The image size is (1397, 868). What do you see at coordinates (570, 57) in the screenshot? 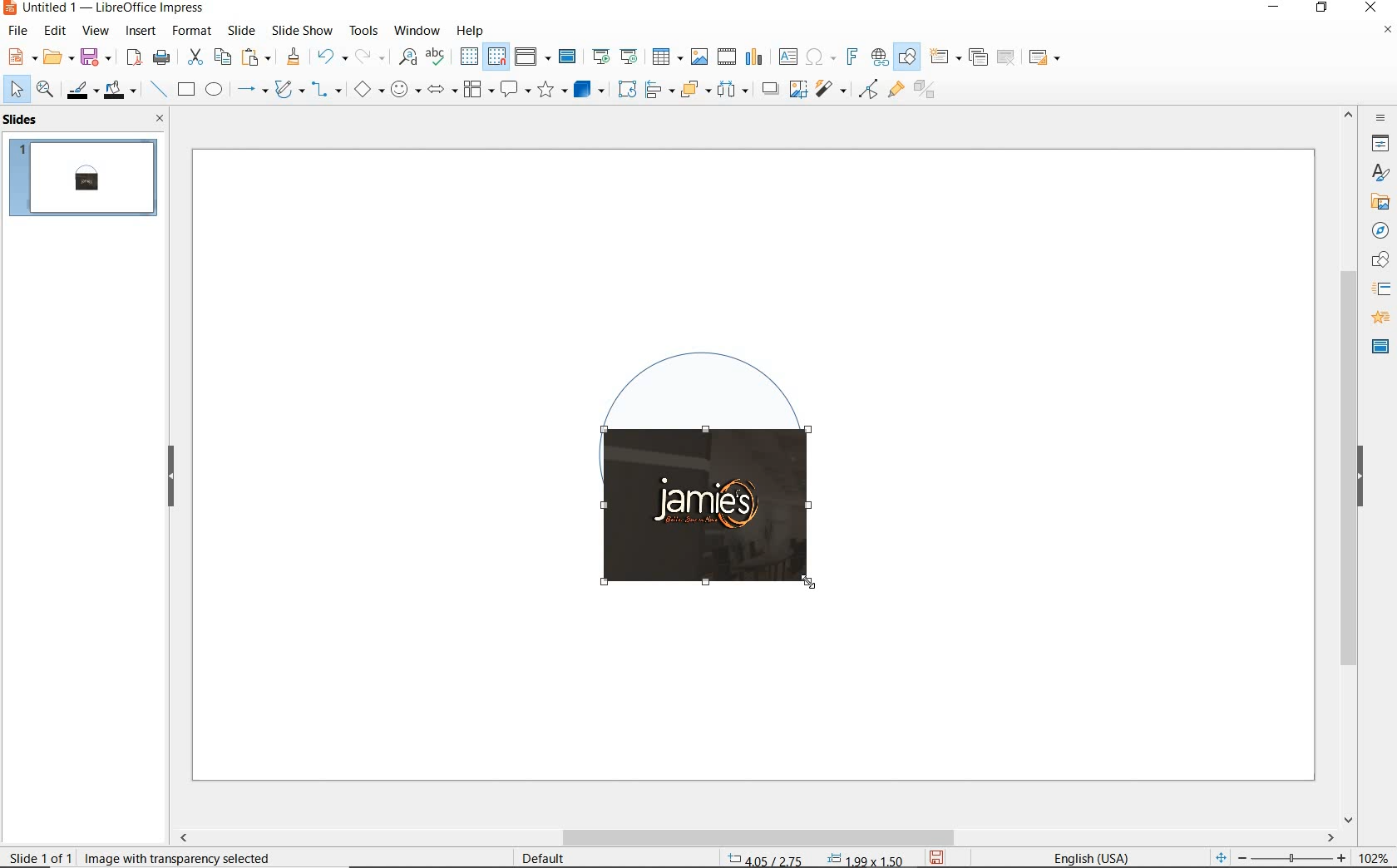
I see `master slide` at bounding box center [570, 57].